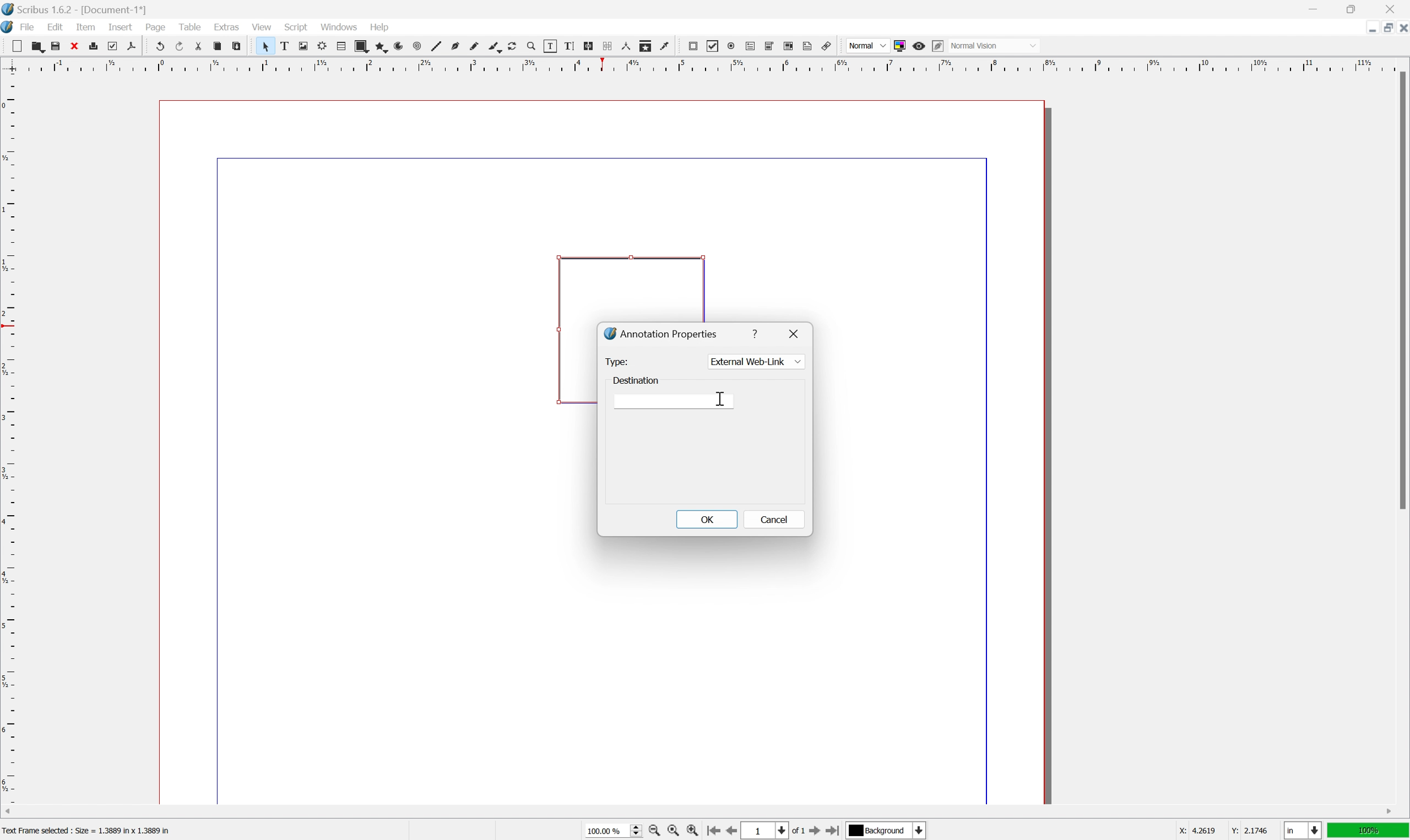 This screenshot has width=1410, height=840. What do you see at coordinates (28, 27) in the screenshot?
I see `File` at bounding box center [28, 27].